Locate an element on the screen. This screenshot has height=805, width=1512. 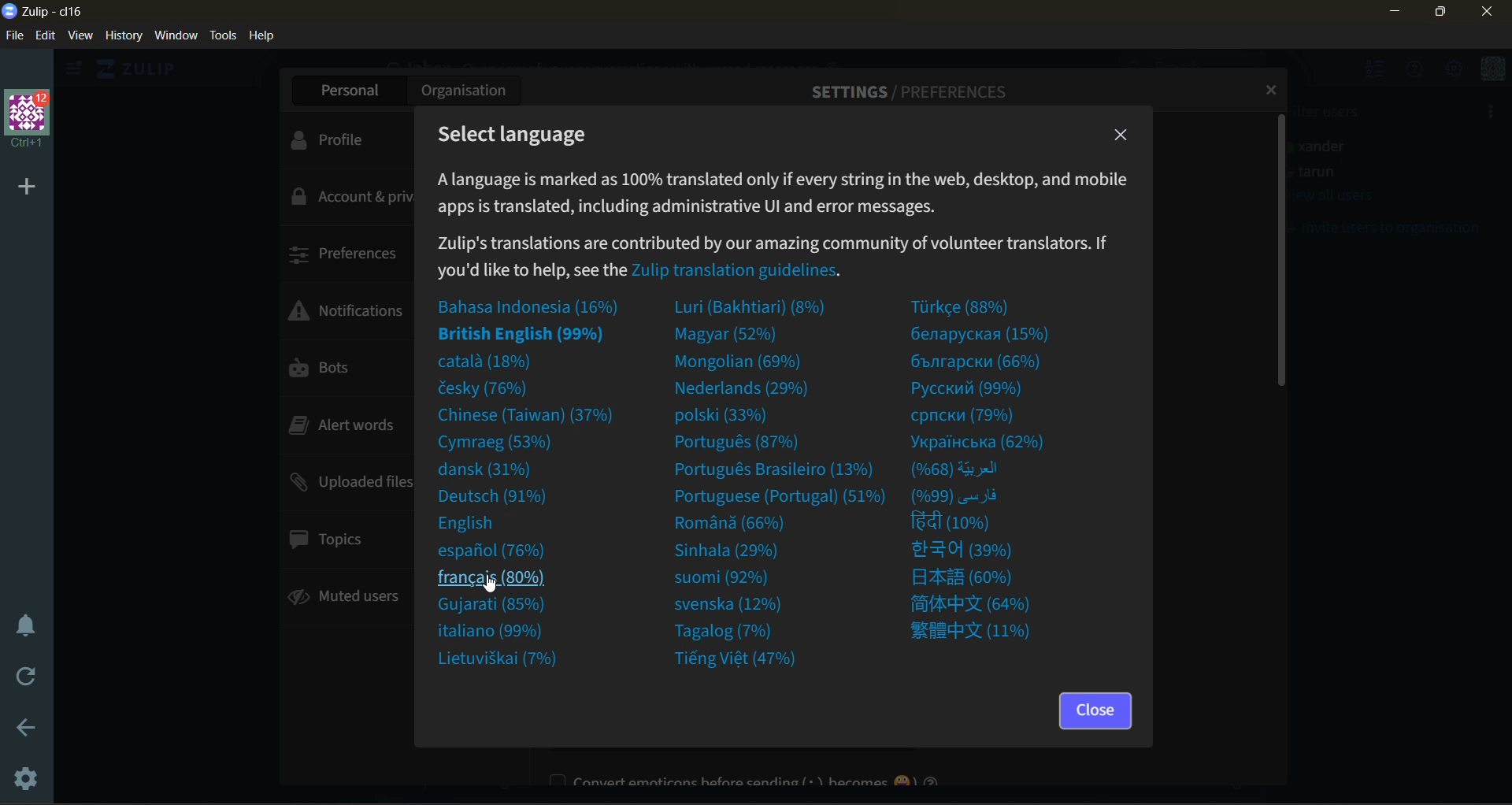
close is located at coordinates (1271, 91).